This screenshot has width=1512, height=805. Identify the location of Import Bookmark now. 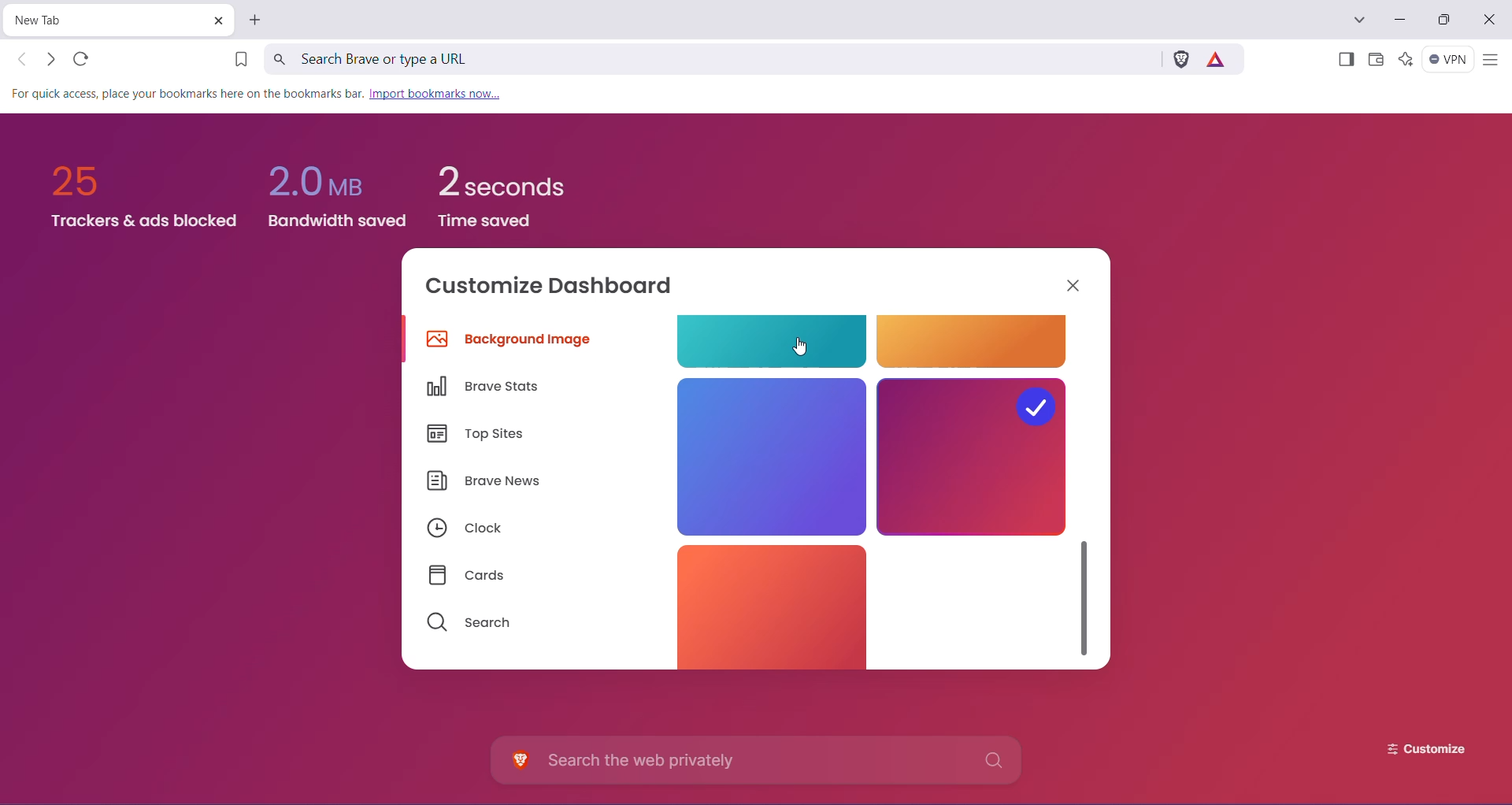
(440, 95).